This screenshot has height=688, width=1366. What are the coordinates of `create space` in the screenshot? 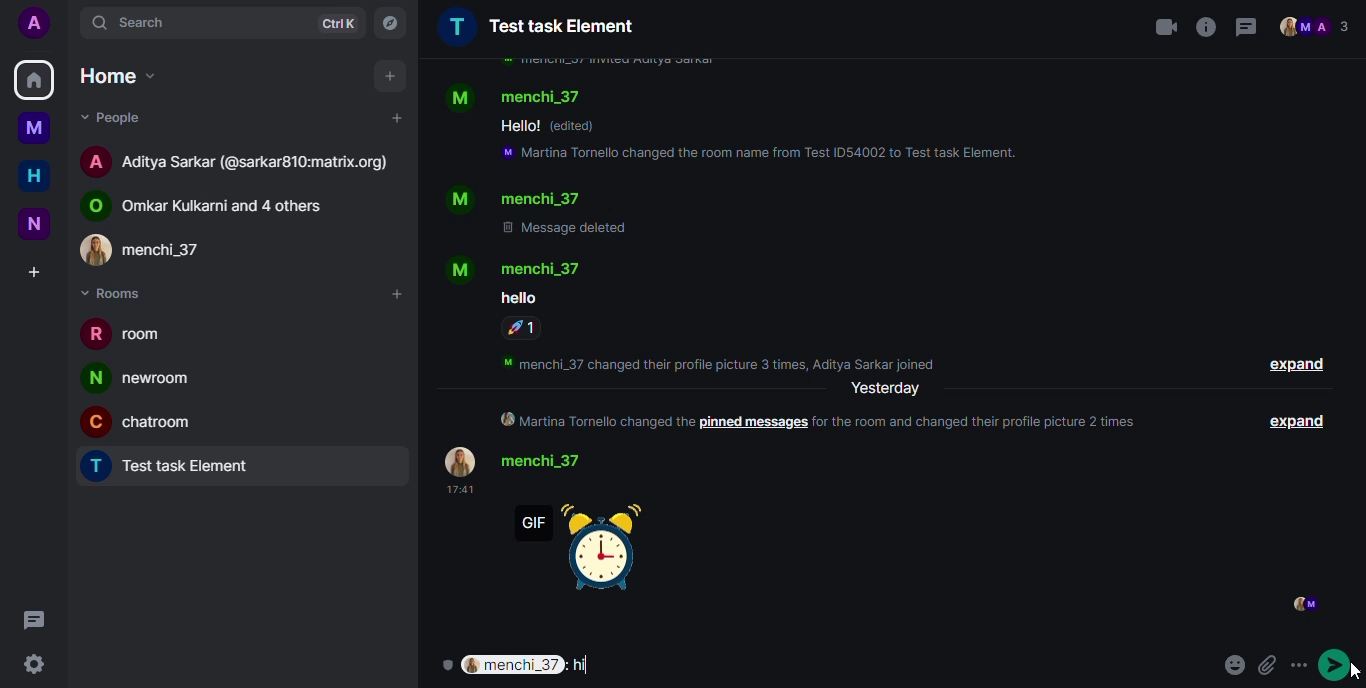 It's located at (32, 273).